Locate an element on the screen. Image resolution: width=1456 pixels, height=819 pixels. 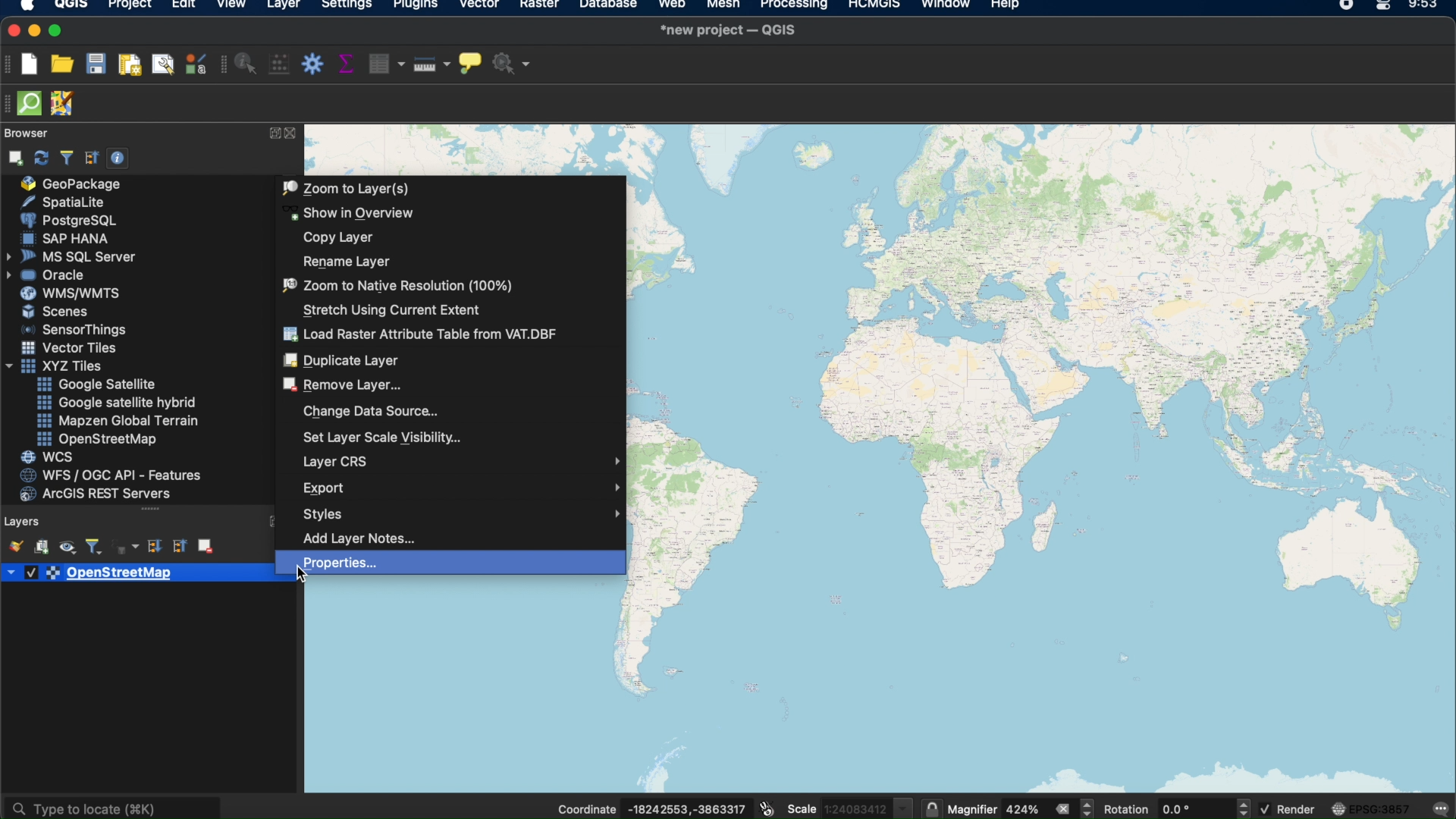
lock scale is located at coordinates (933, 807).